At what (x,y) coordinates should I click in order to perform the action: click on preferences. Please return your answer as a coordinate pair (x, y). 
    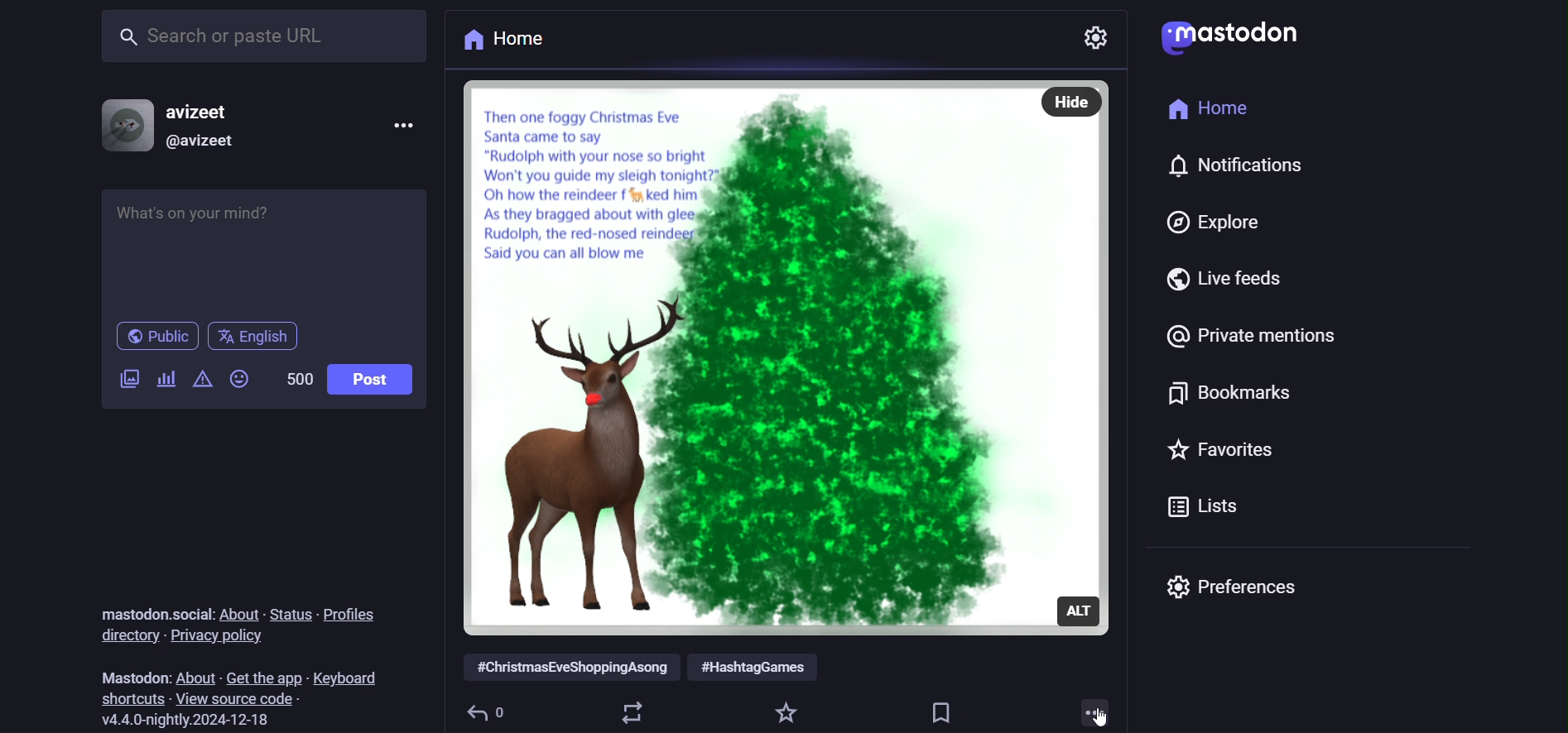
    Looking at the image, I should click on (1223, 587).